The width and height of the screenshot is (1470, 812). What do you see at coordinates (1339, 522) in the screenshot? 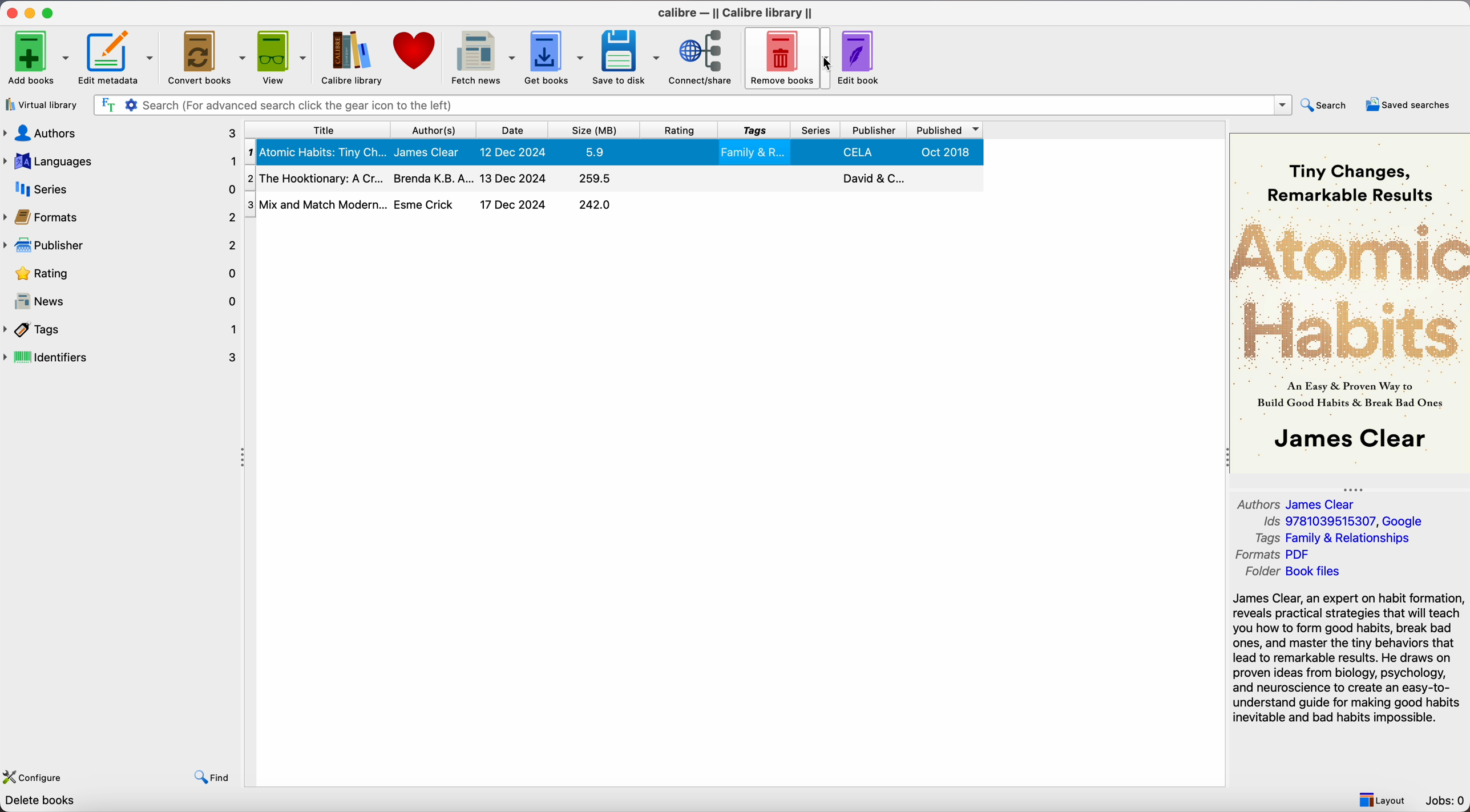
I see `Ids 9781039515307, Google` at bounding box center [1339, 522].